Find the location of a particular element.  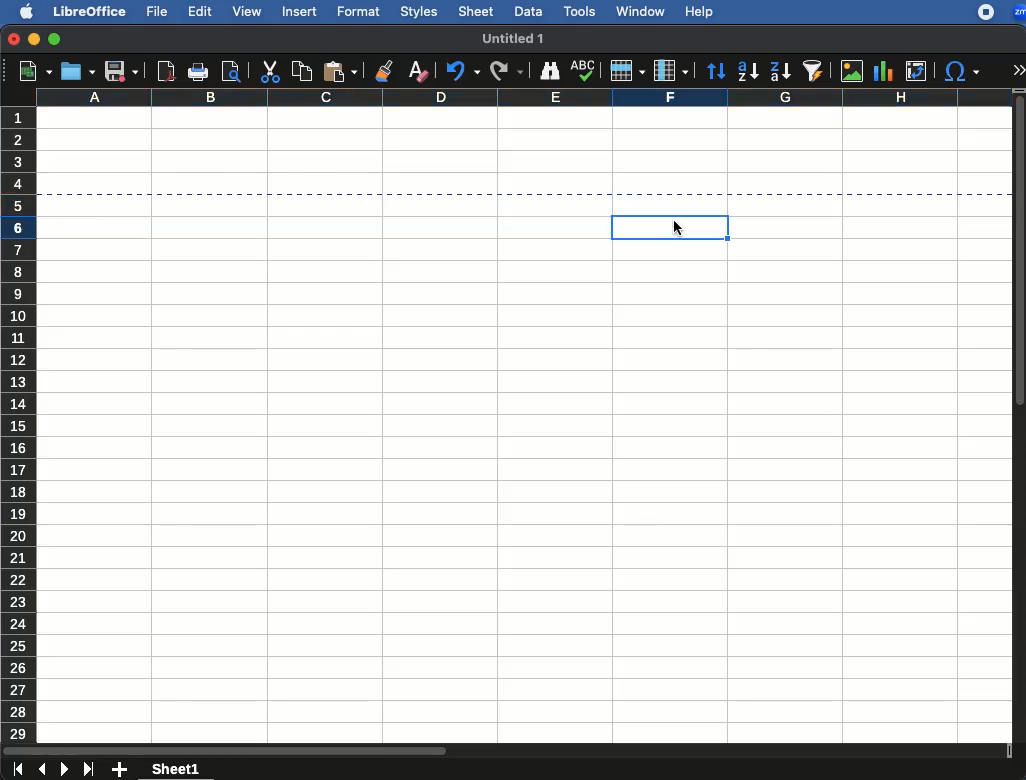

redo is located at coordinates (459, 71).